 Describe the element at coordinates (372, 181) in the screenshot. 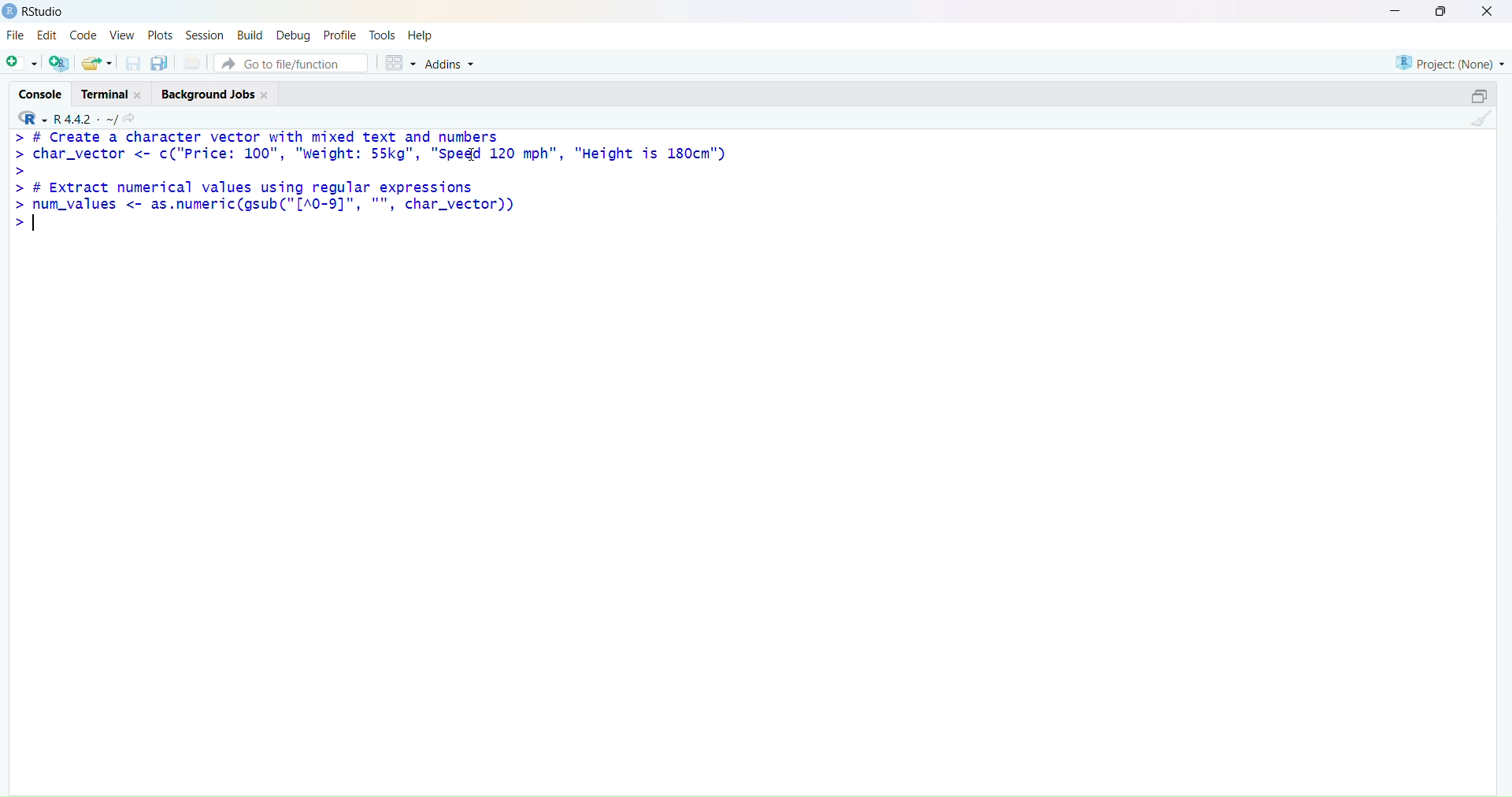

I see `> # Create a character vector with mixed text and numberschar_vector <- c("Price: 100", "weight: 55kg", "Speed 120 mph", "Height is 180cm")# Extract numerical values using regular expressionsnum_values <- as.numeric(gsub("[A0-9]", "", char_vector))>` at that location.